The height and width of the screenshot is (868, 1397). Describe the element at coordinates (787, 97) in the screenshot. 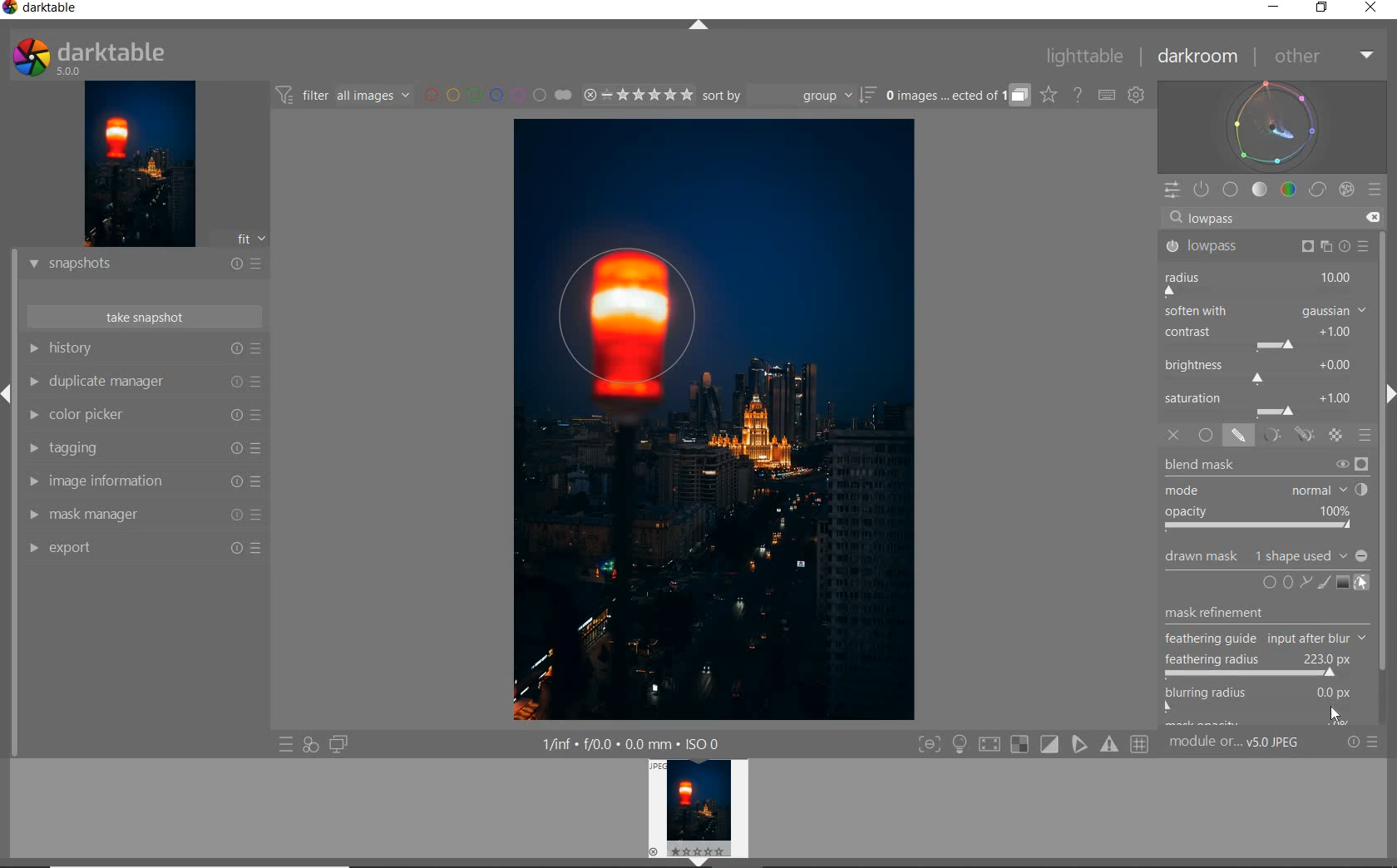

I see `SORT` at that location.